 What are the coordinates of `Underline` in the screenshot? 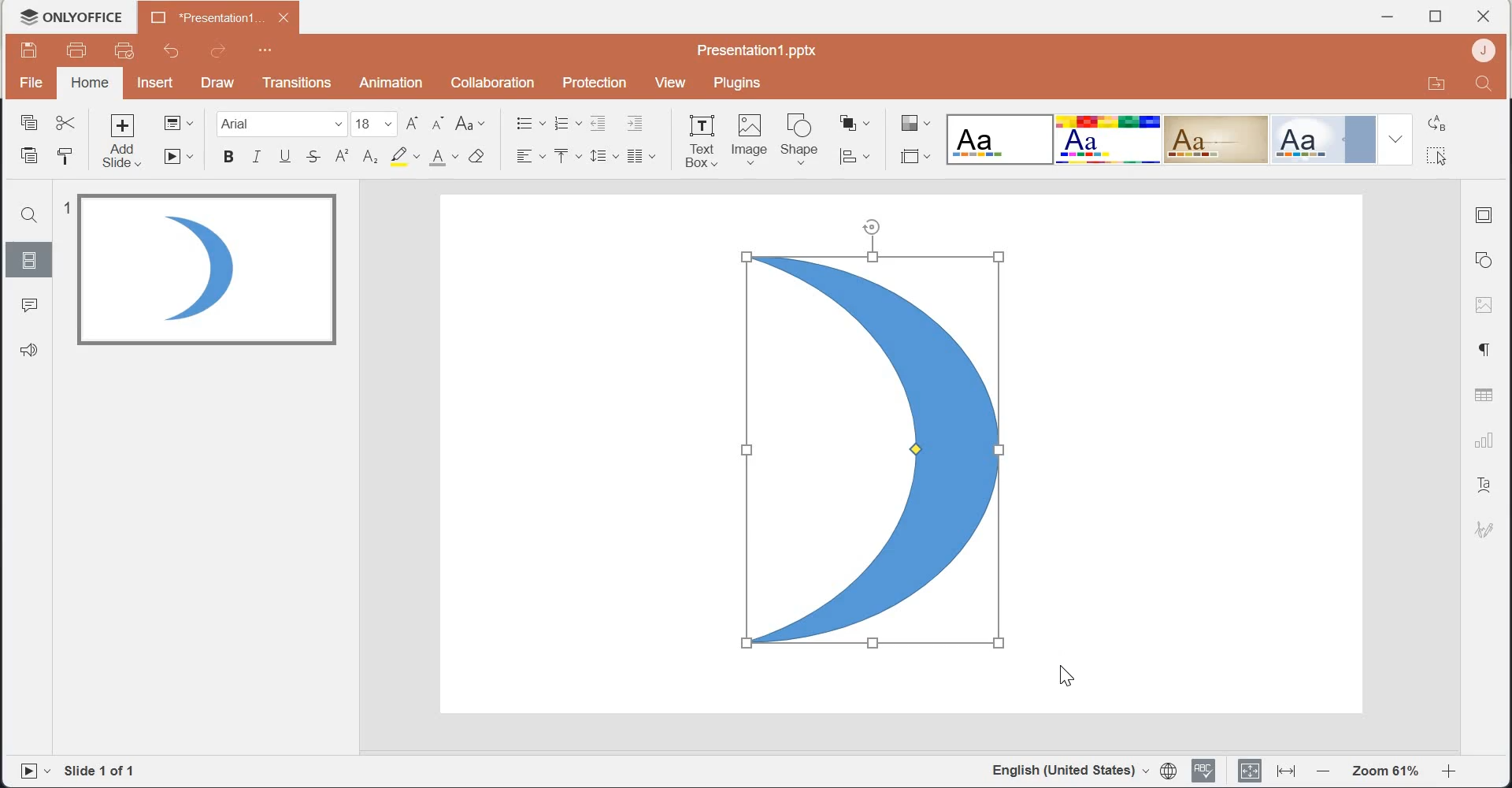 It's located at (288, 156).